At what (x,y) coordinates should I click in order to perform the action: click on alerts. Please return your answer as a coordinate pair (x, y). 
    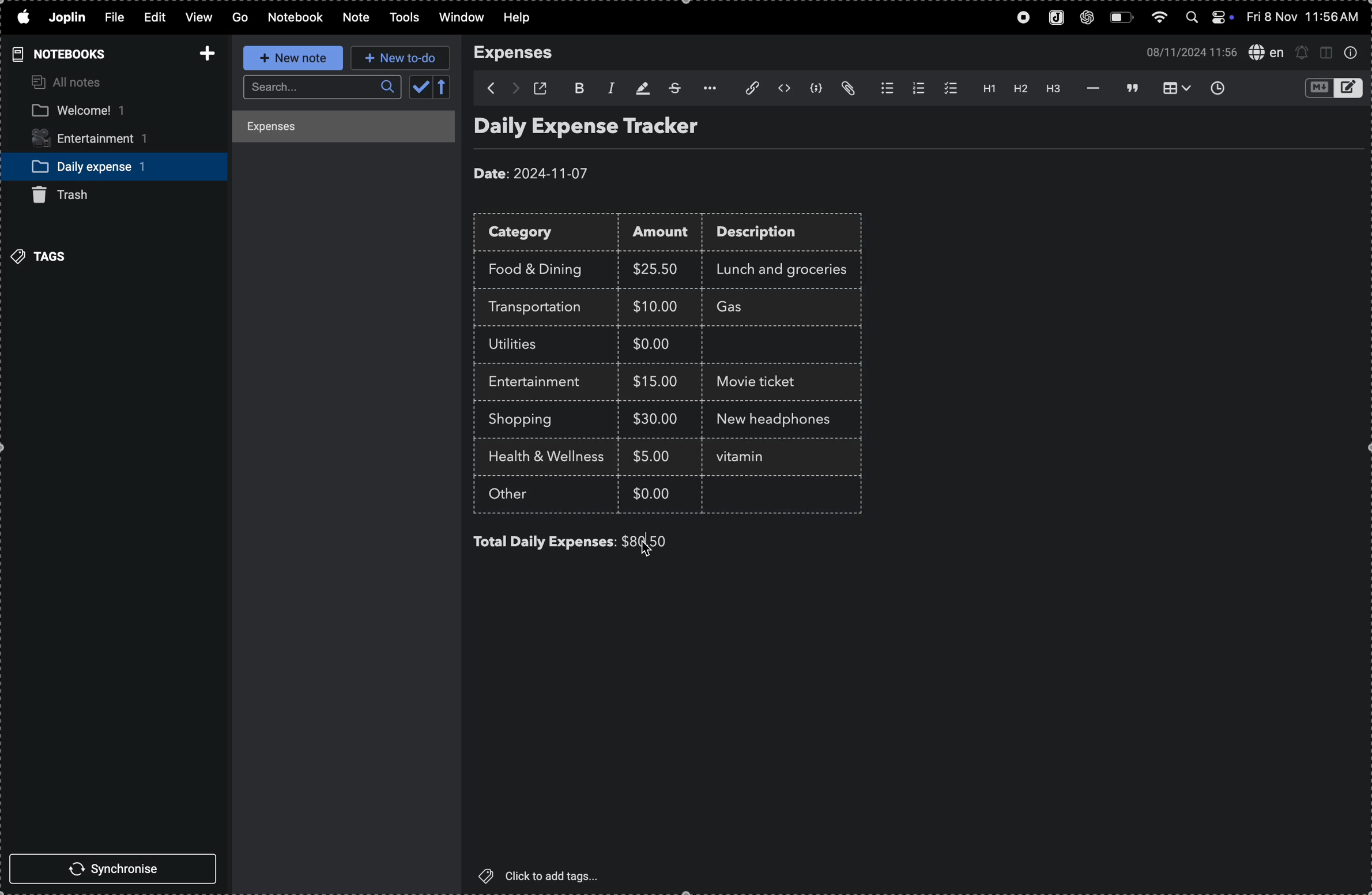
    Looking at the image, I should click on (1302, 52).